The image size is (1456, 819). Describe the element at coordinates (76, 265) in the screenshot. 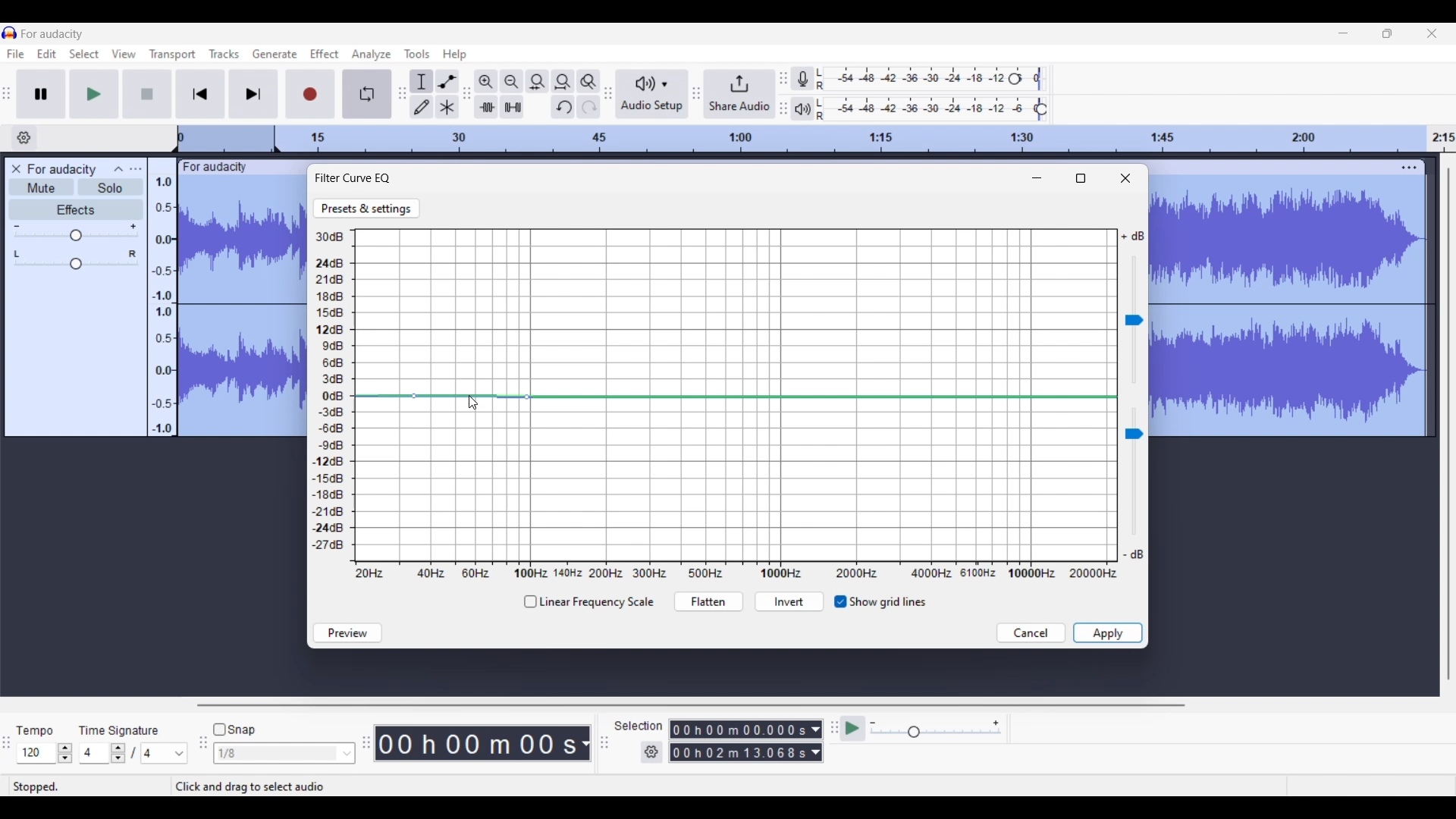

I see `Change pan` at that location.